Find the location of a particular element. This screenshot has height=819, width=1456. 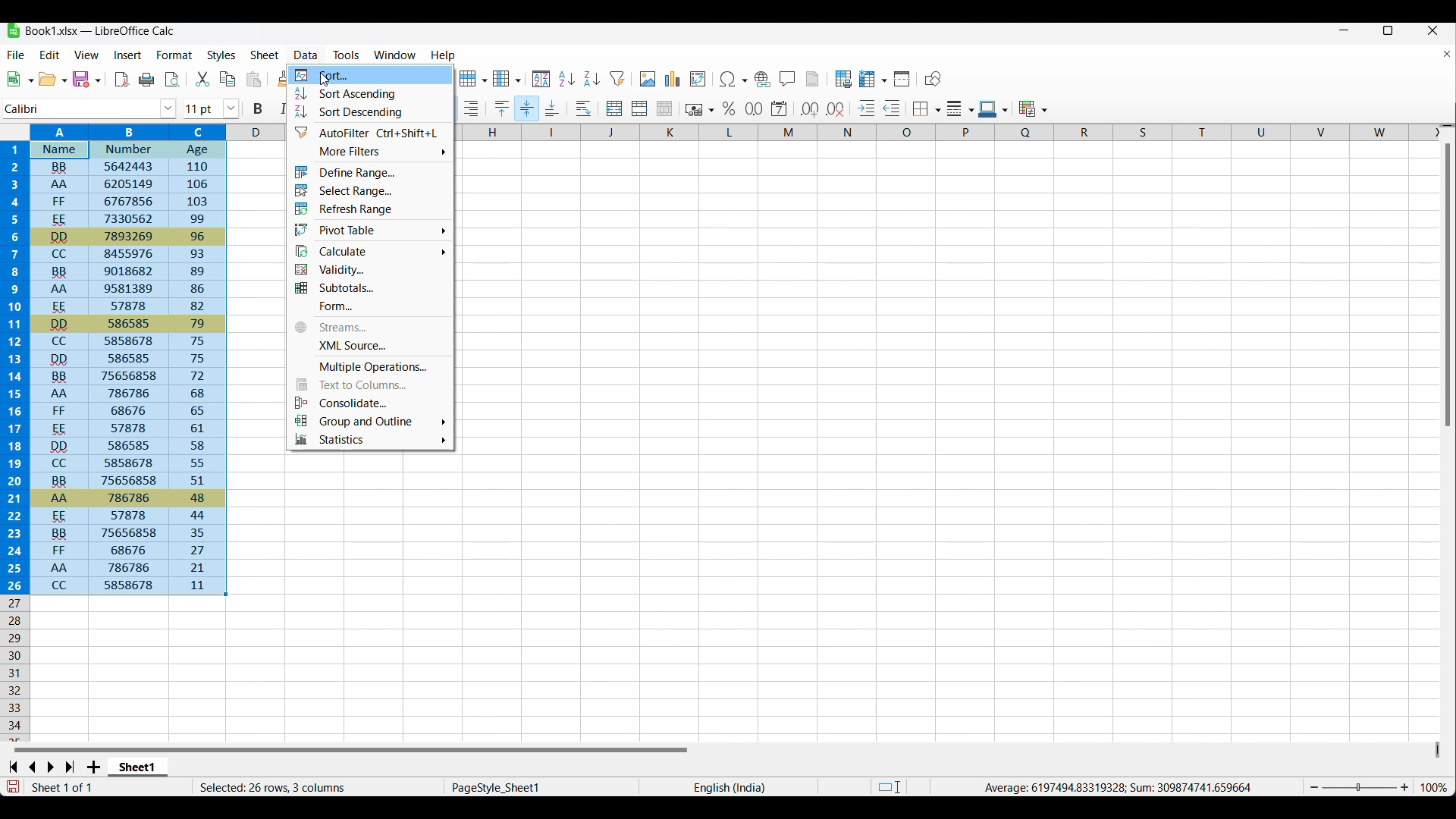

Merge cells is located at coordinates (640, 108).